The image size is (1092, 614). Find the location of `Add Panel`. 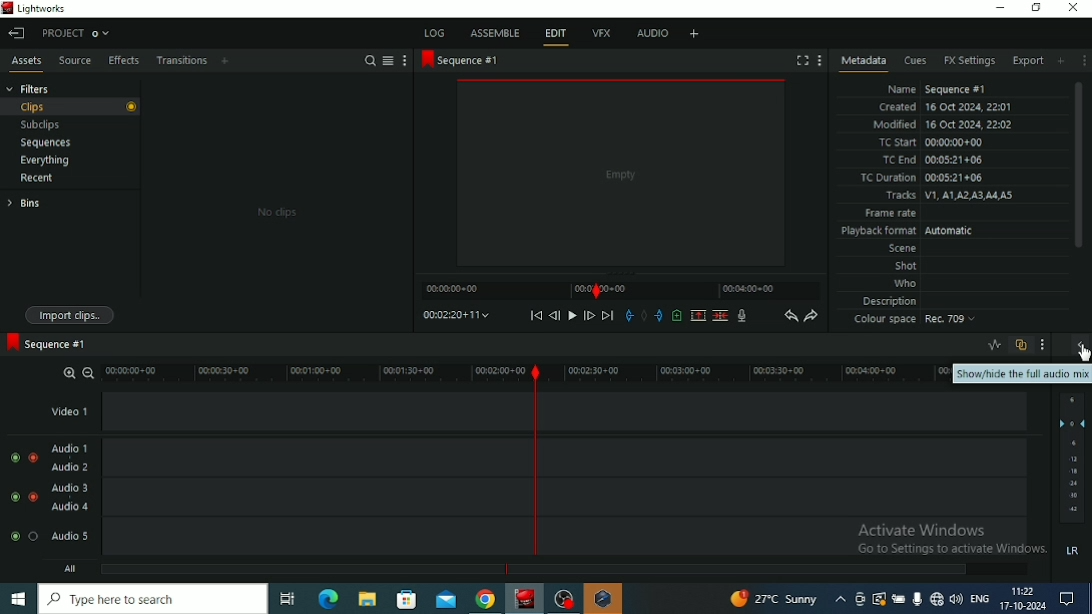

Add Panel is located at coordinates (226, 61).